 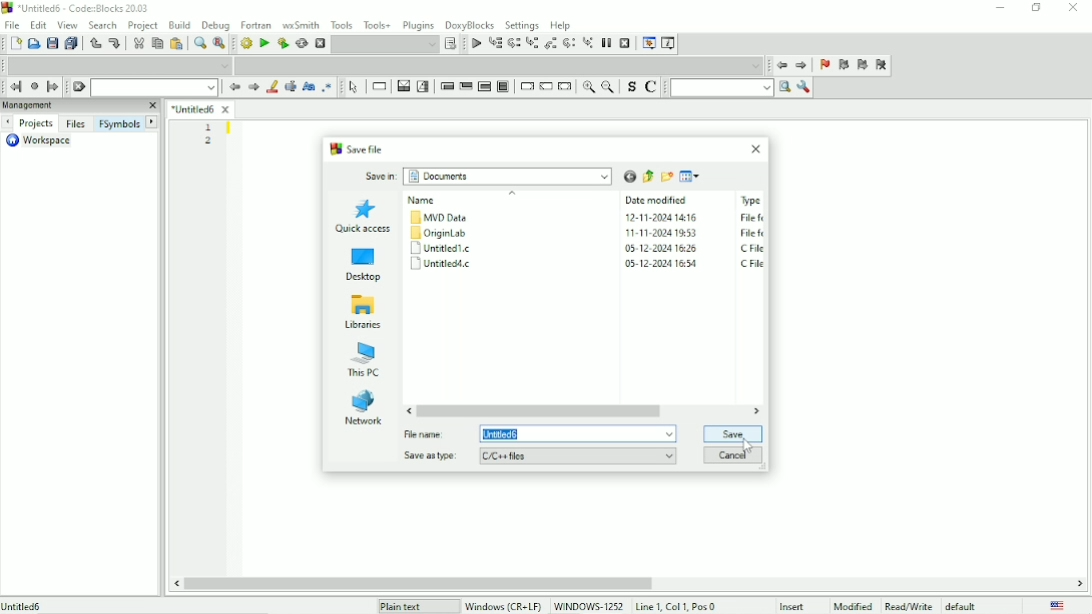 I want to click on Save as type, so click(x=539, y=457).